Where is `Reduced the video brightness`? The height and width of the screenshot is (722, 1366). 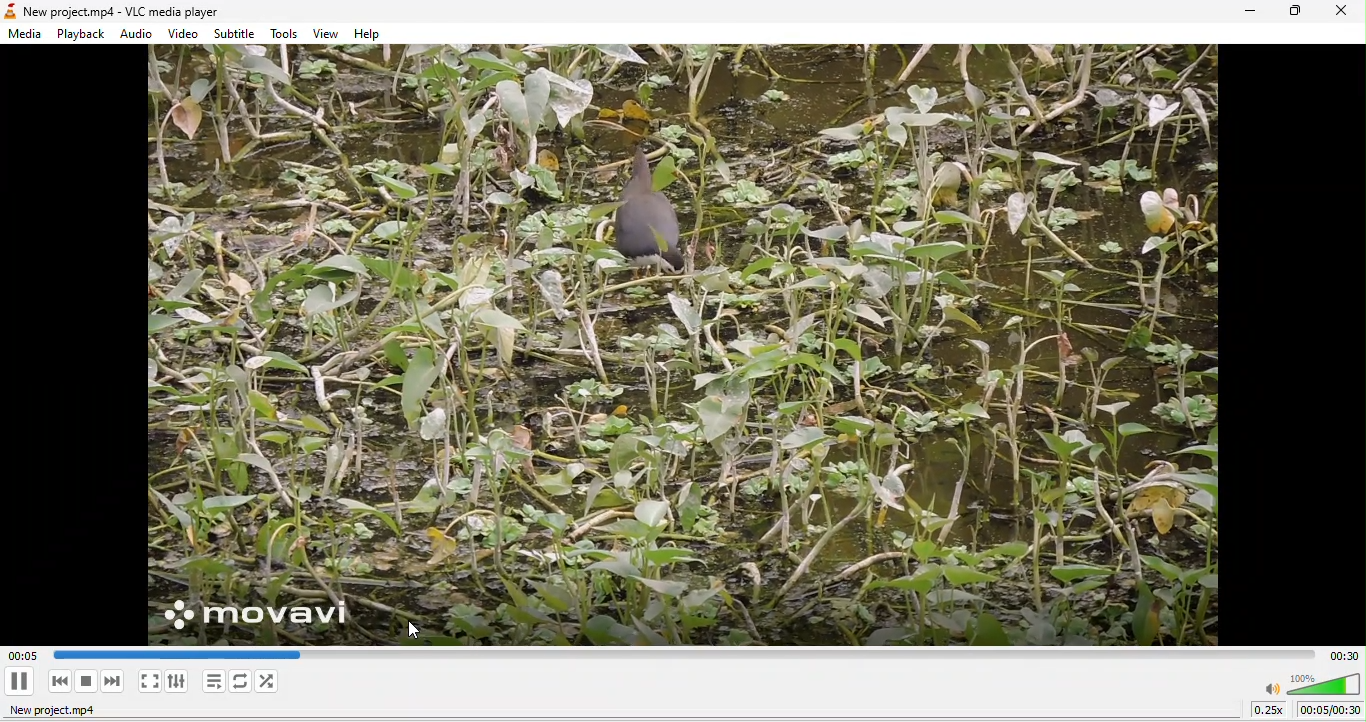
Reduced the video brightness is located at coordinates (683, 344).